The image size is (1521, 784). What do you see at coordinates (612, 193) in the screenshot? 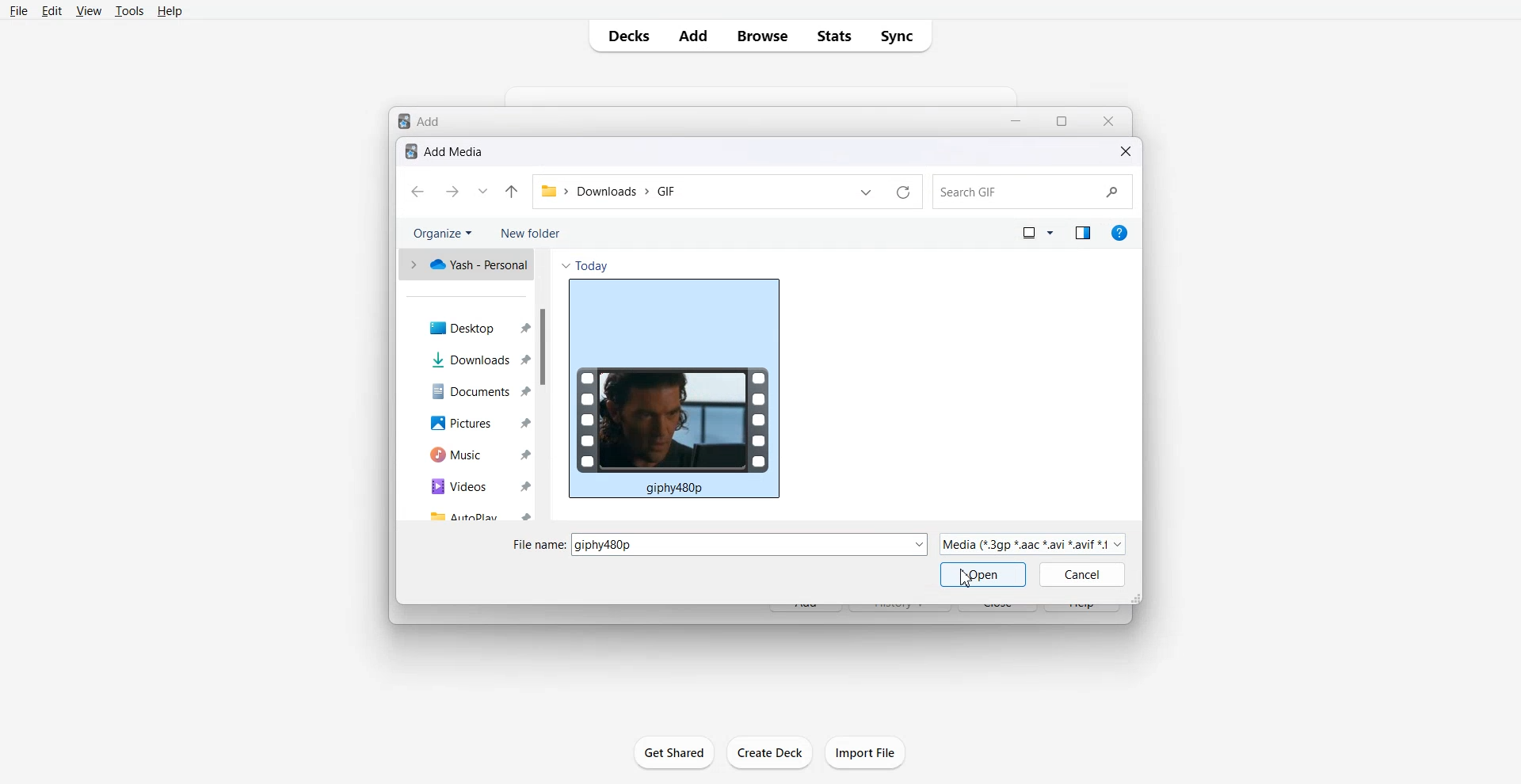
I see `File>Downloads>GIF` at bounding box center [612, 193].